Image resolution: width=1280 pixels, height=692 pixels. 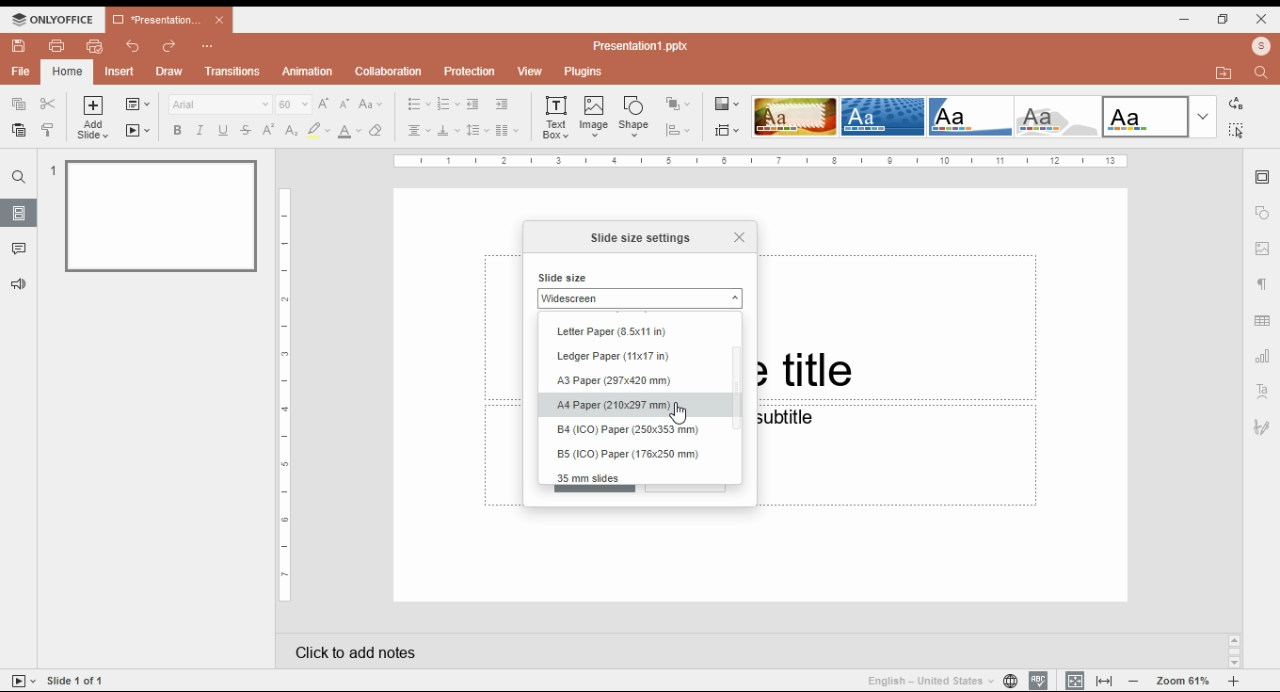 I want to click on A4 Paper (210x297 mm), so click(x=618, y=406).